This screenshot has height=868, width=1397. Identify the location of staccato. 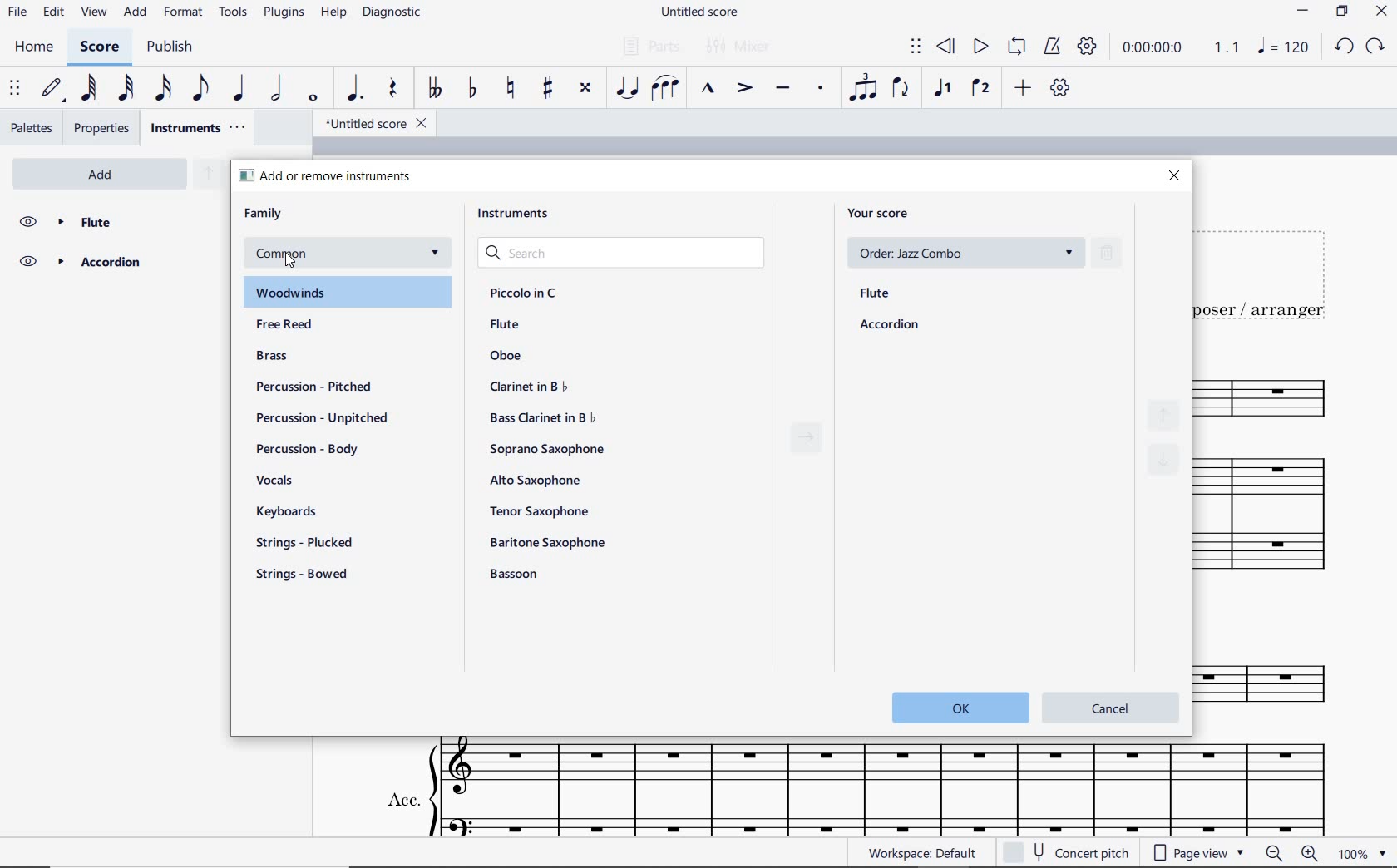
(820, 89).